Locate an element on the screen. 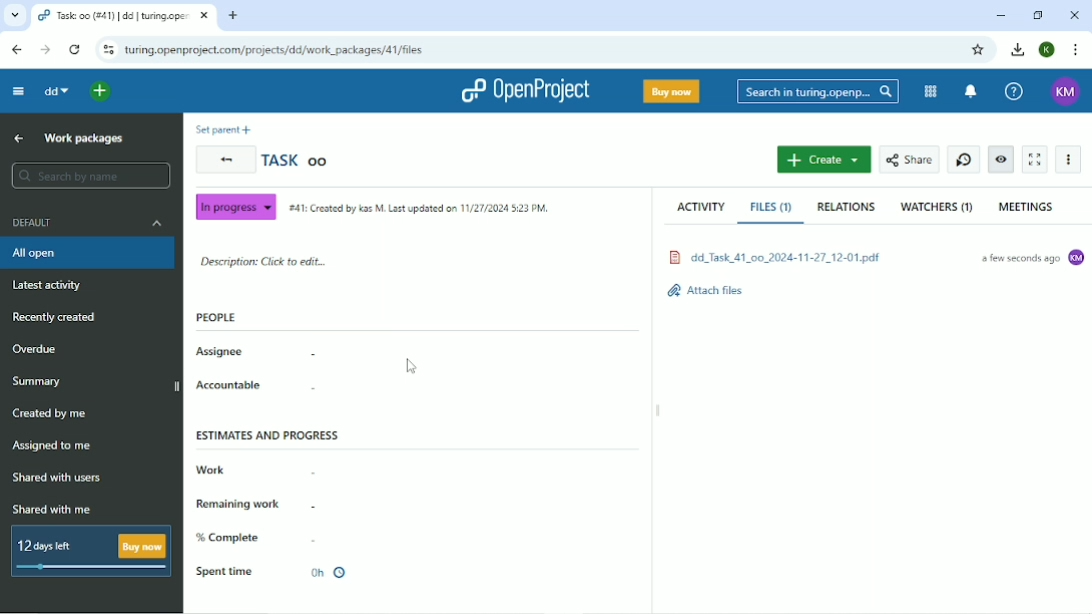  Work packages is located at coordinates (84, 139).